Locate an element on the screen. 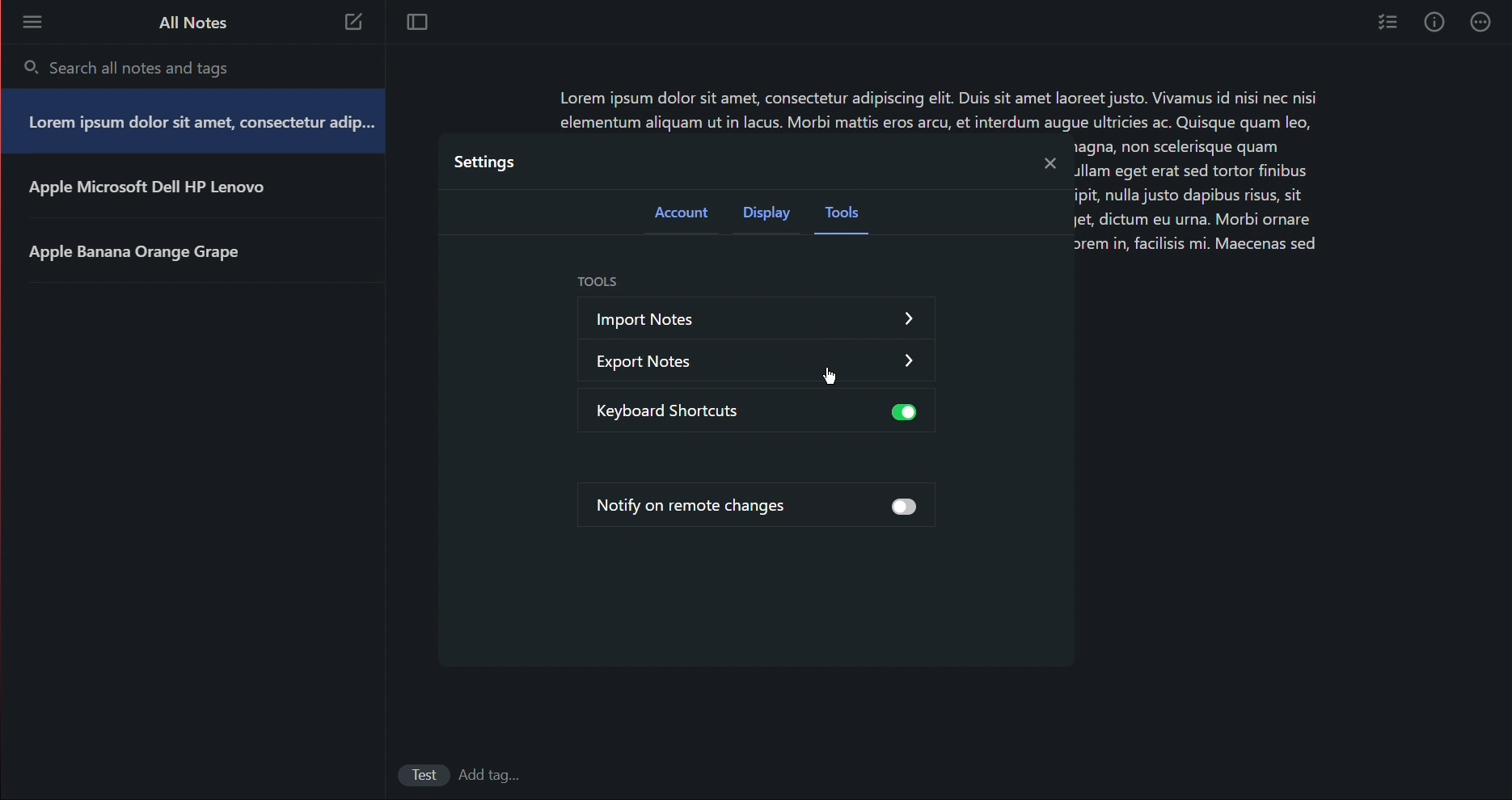 The width and height of the screenshot is (1512, 800). Info is located at coordinates (1435, 23).